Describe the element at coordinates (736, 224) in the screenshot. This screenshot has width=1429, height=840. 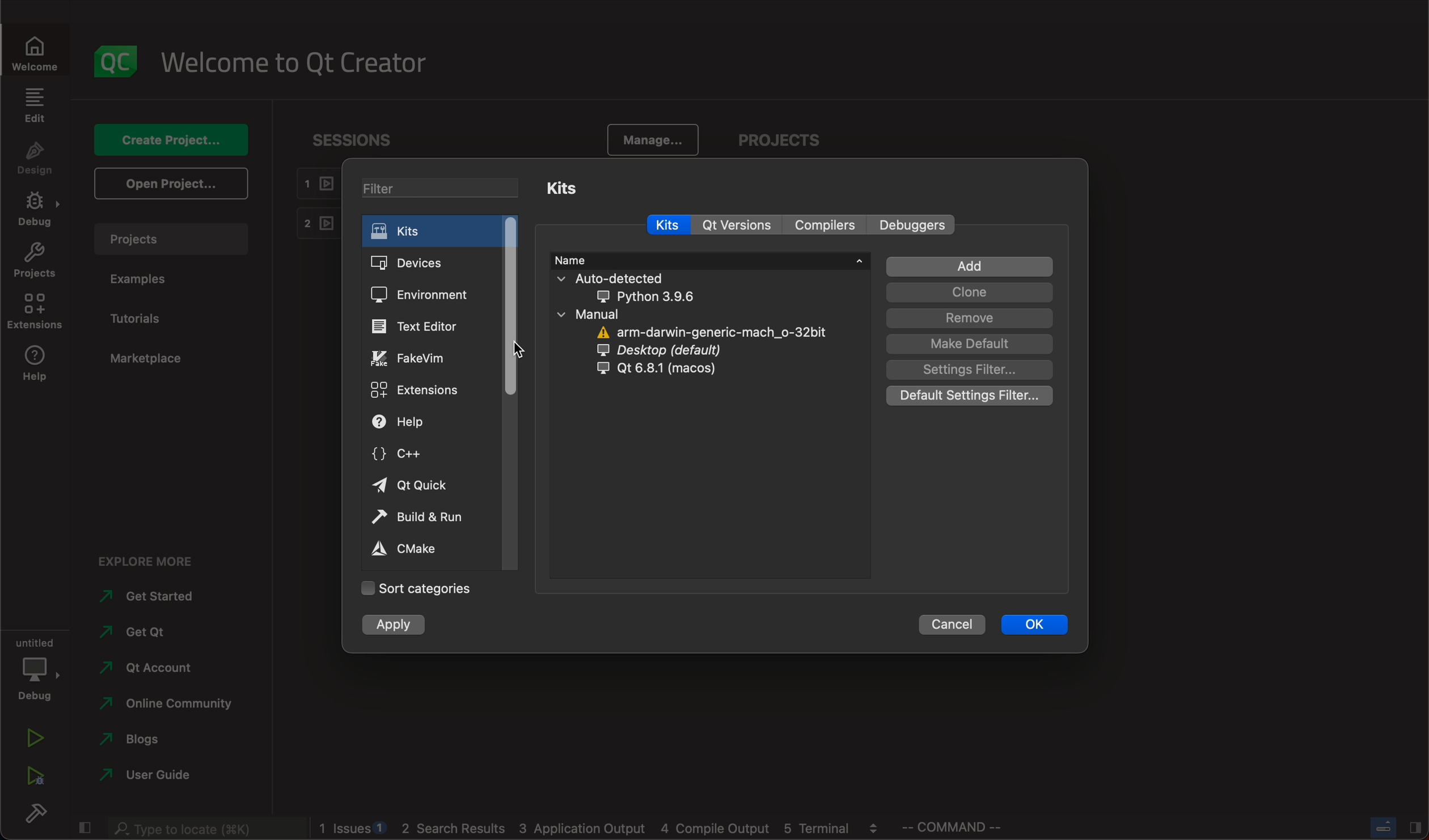
I see `version` at that location.